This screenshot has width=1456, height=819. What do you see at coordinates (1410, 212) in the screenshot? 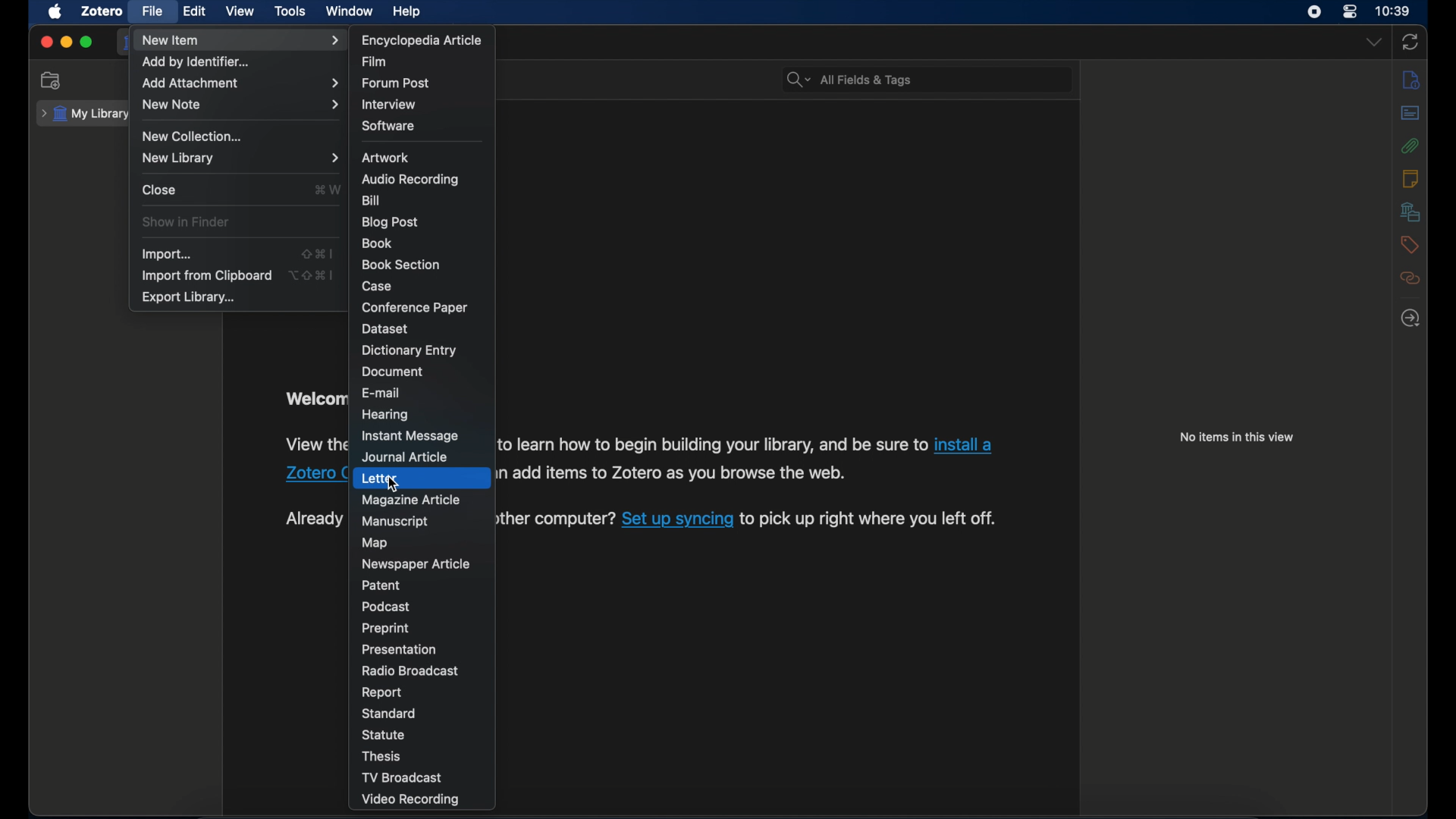
I see `libraries` at bounding box center [1410, 212].